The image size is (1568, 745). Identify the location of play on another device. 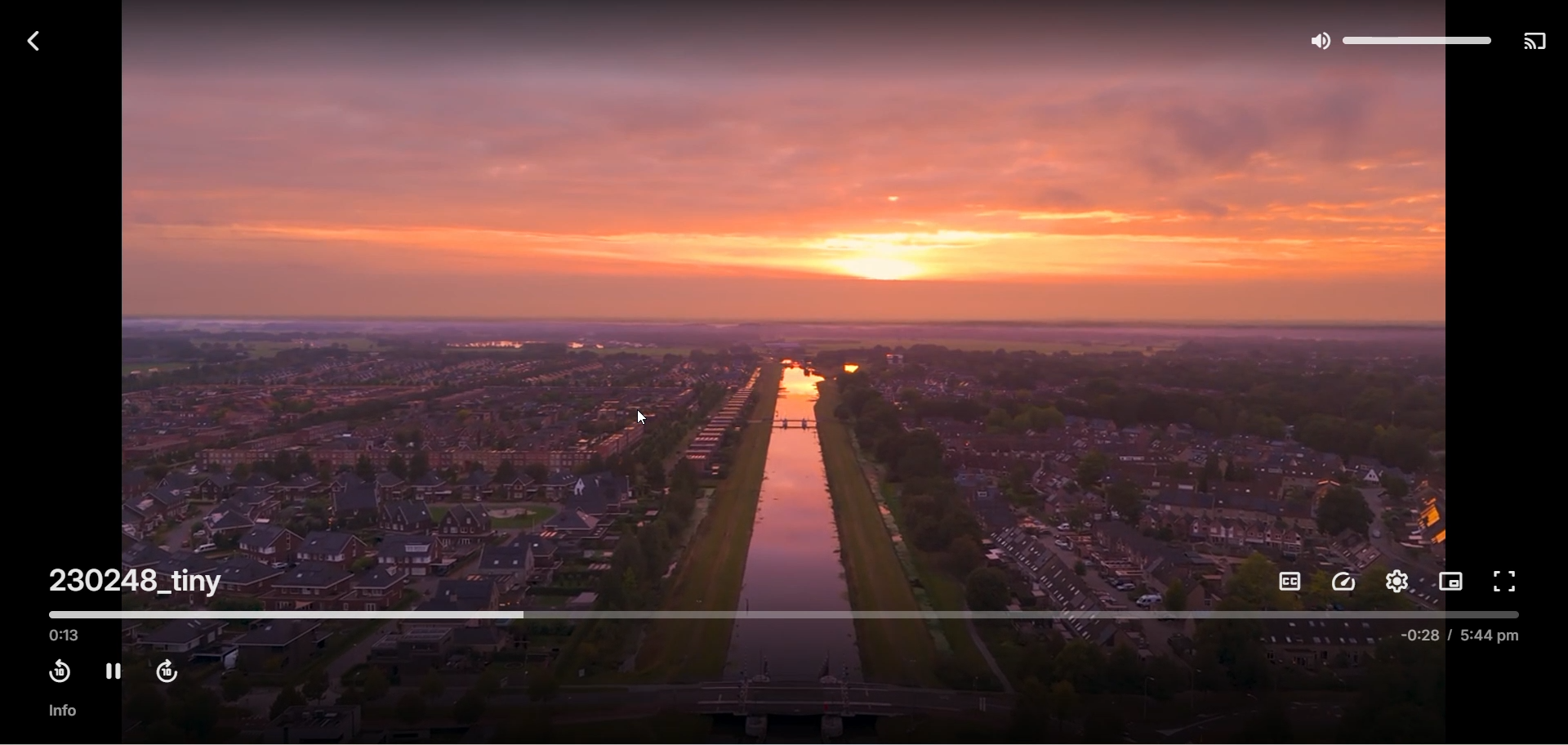
(1535, 39).